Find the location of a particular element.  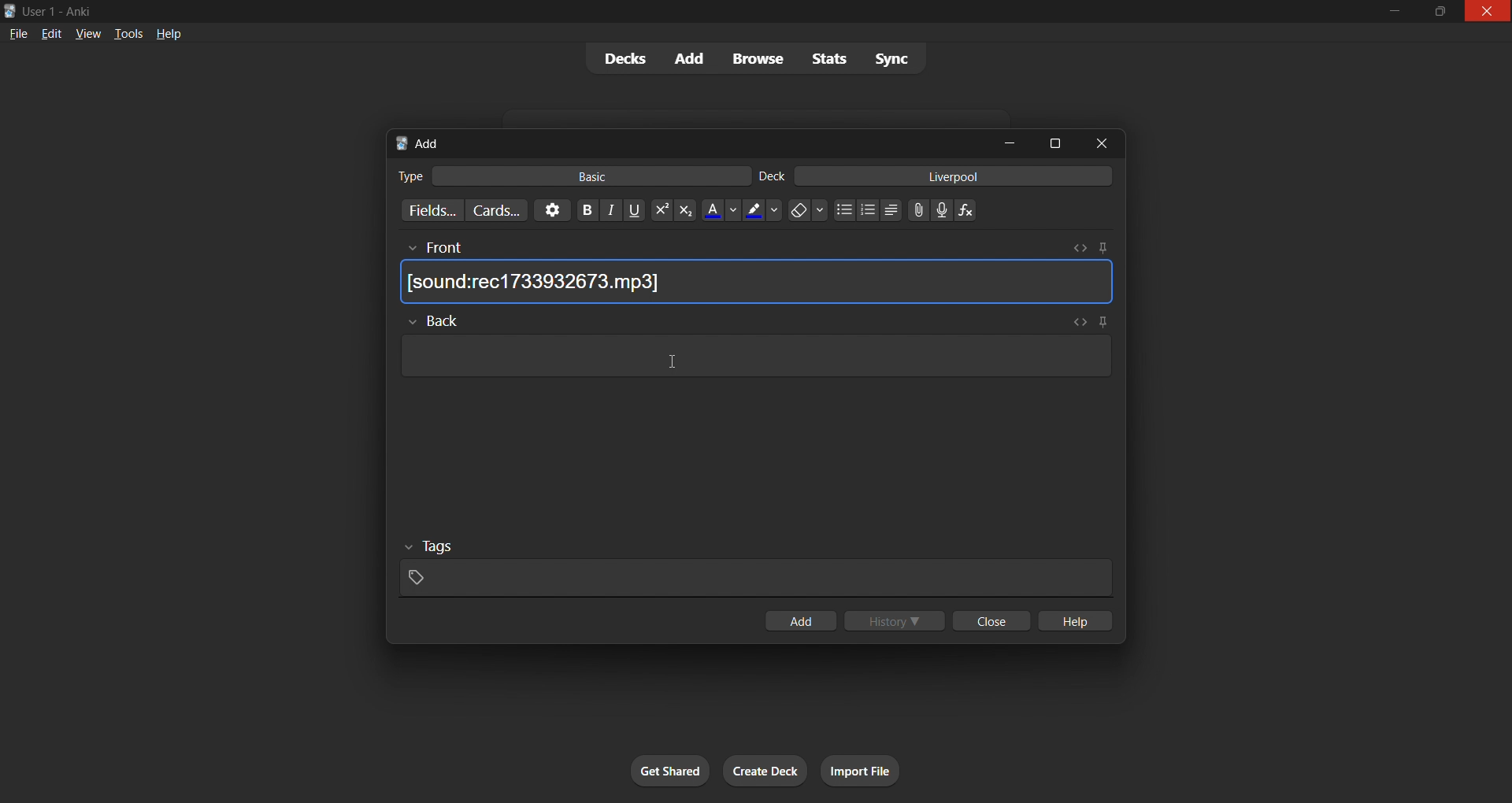

edit is located at coordinates (51, 35).